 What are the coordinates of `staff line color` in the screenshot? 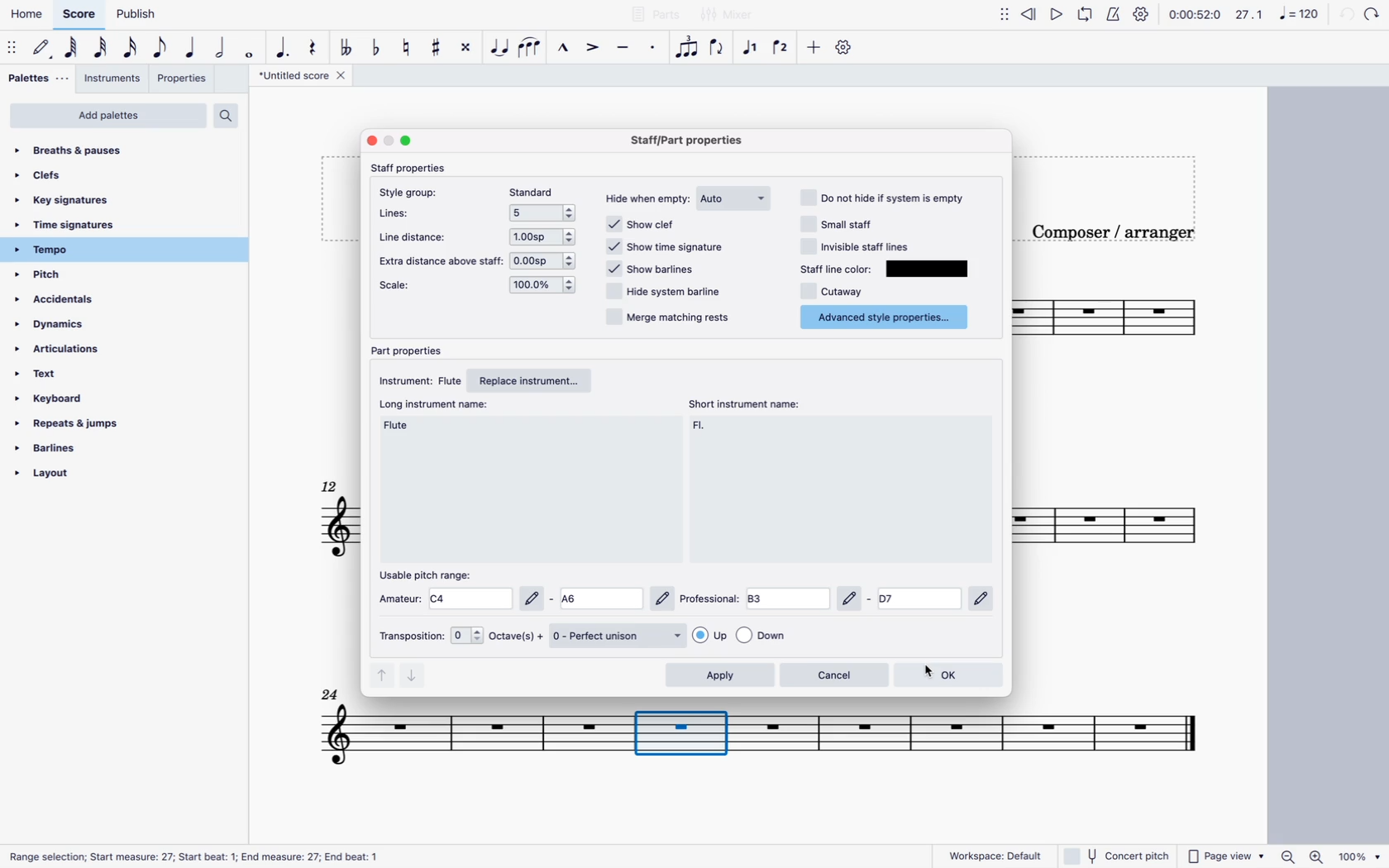 It's located at (838, 268).